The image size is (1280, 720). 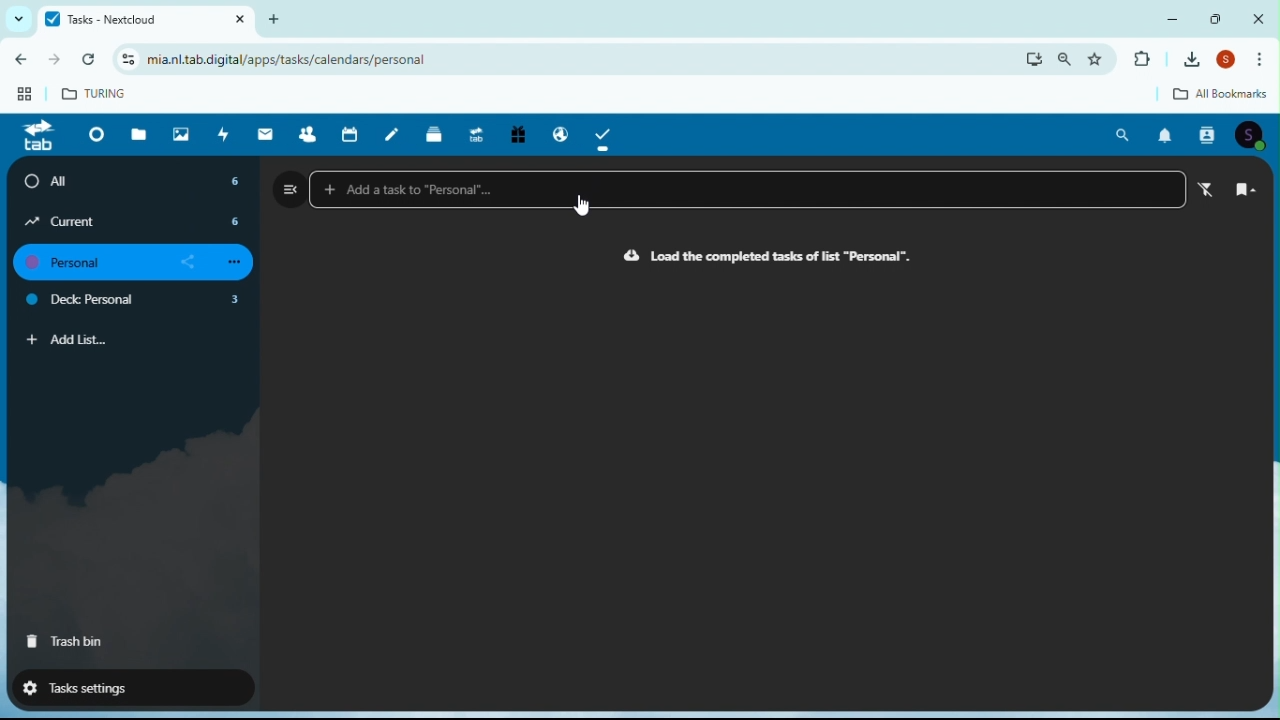 I want to click on Upgrade, so click(x=475, y=132).